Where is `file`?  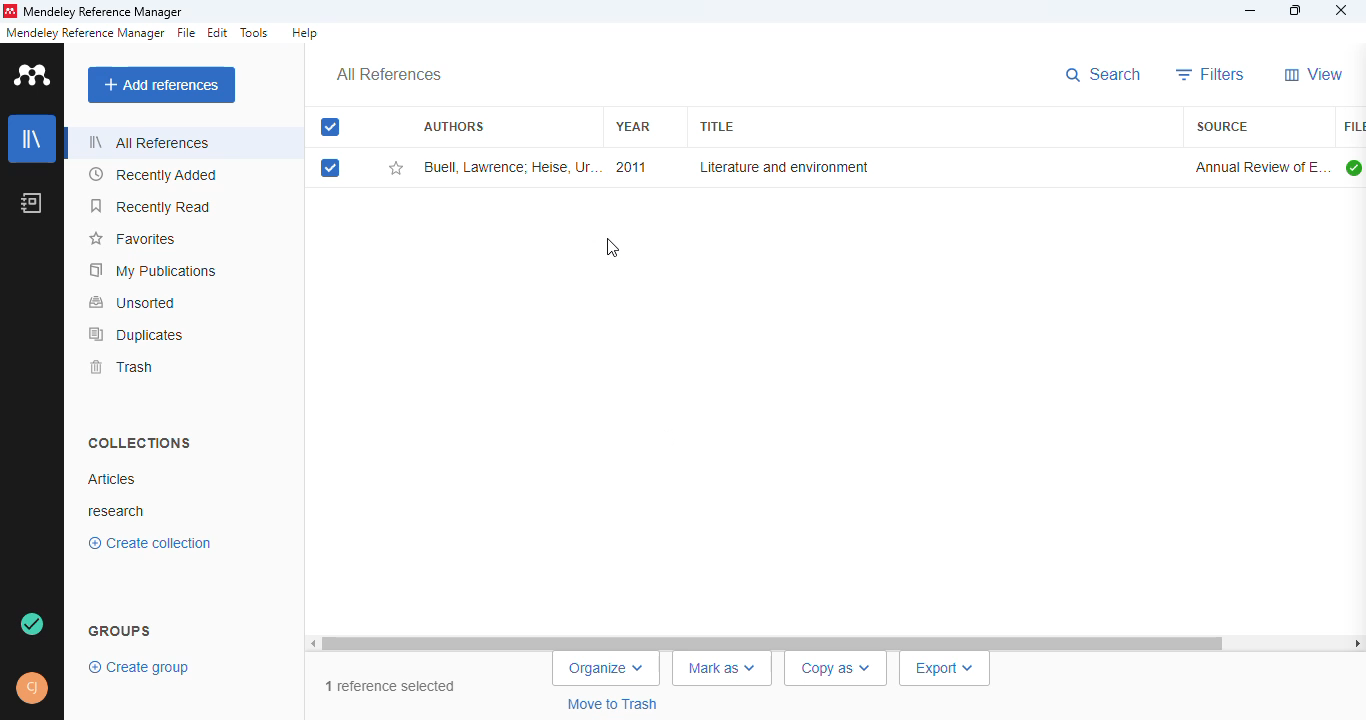 file is located at coordinates (185, 33).